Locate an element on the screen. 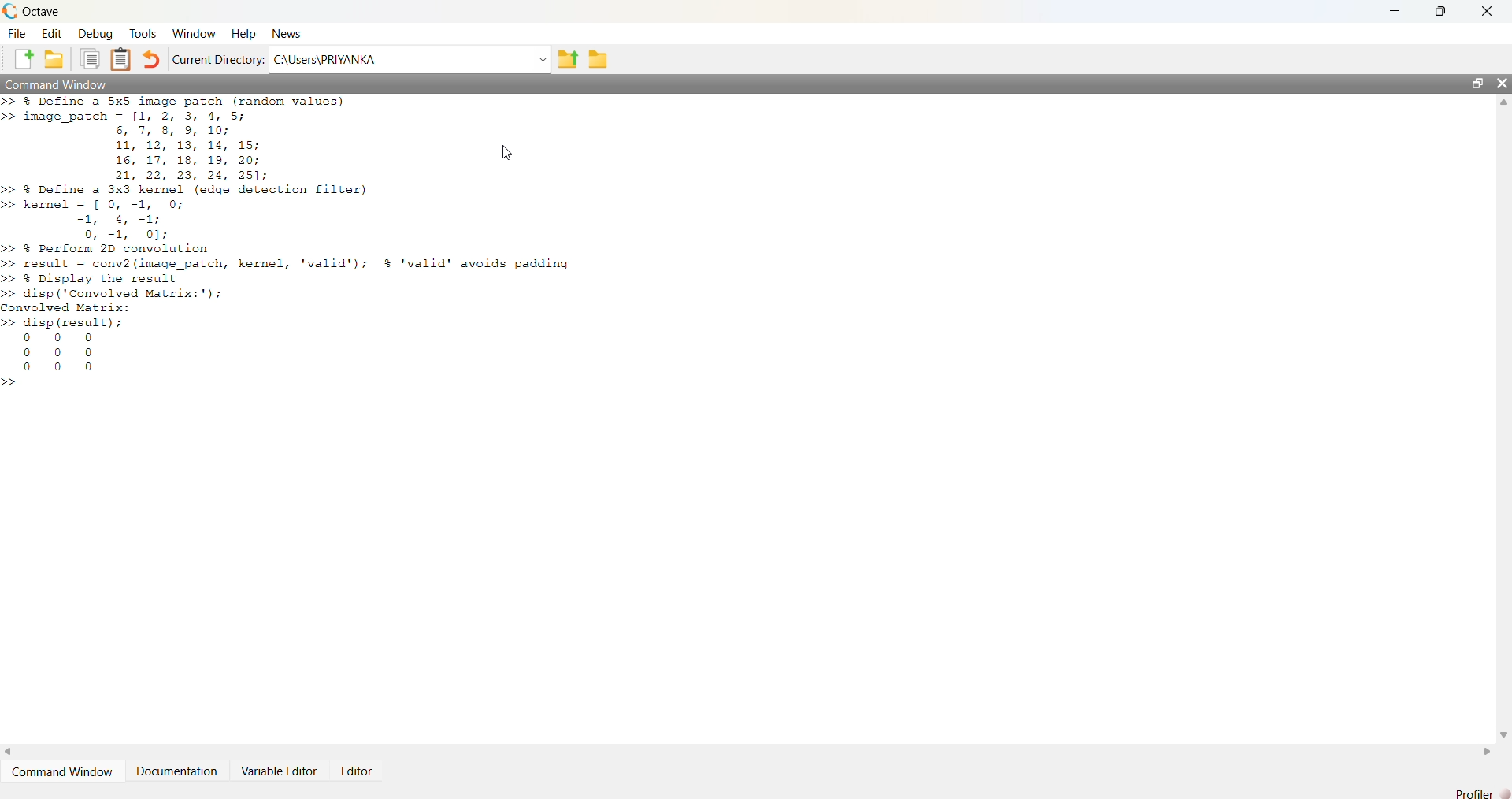 The width and height of the screenshot is (1512, 799). Minimize is located at coordinates (1394, 11).